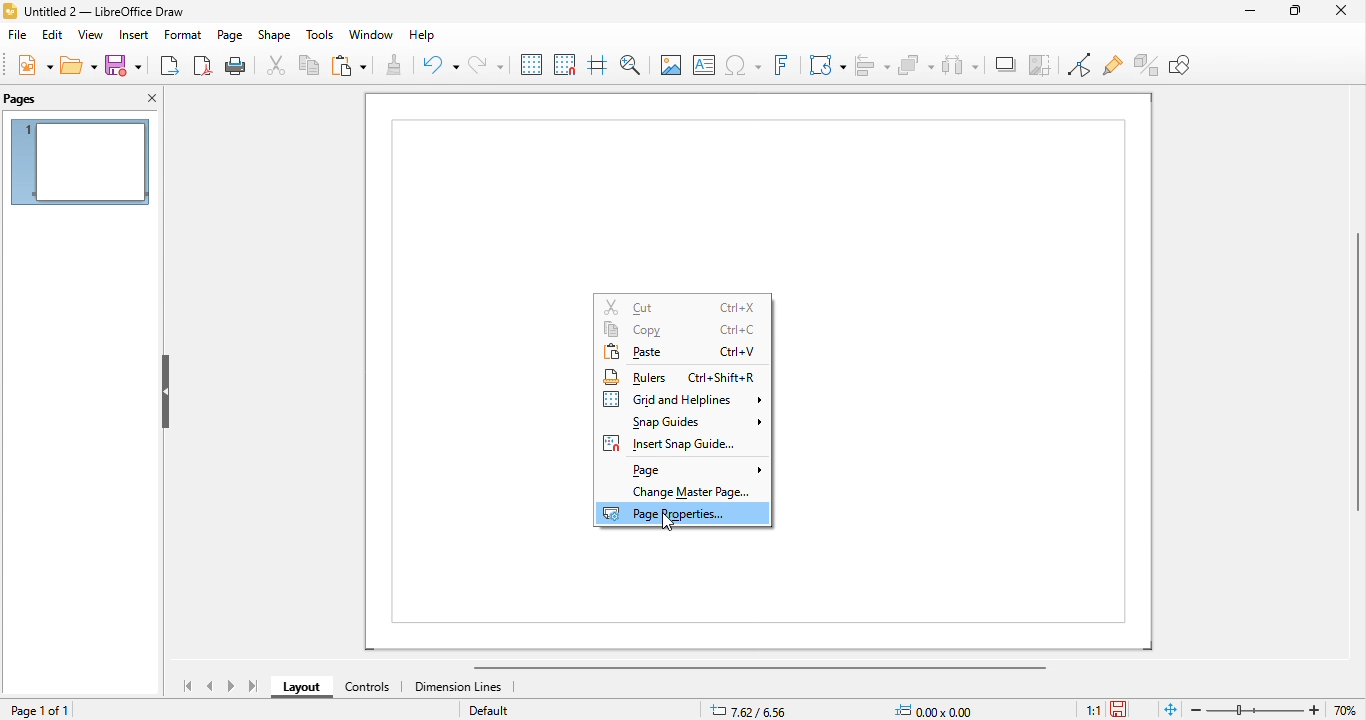  I want to click on rulers, so click(681, 375).